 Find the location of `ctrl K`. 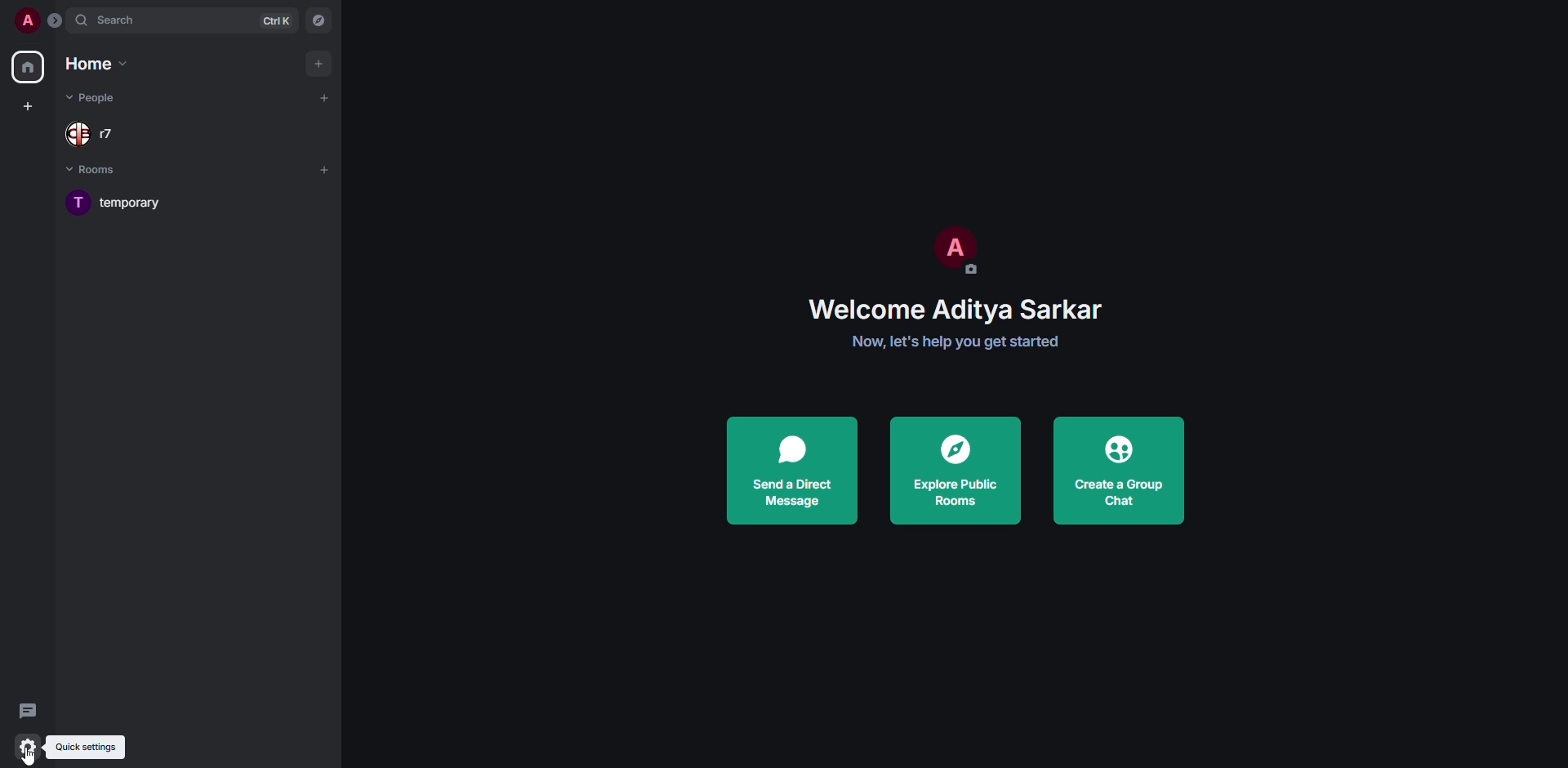

ctrl K is located at coordinates (276, 21).